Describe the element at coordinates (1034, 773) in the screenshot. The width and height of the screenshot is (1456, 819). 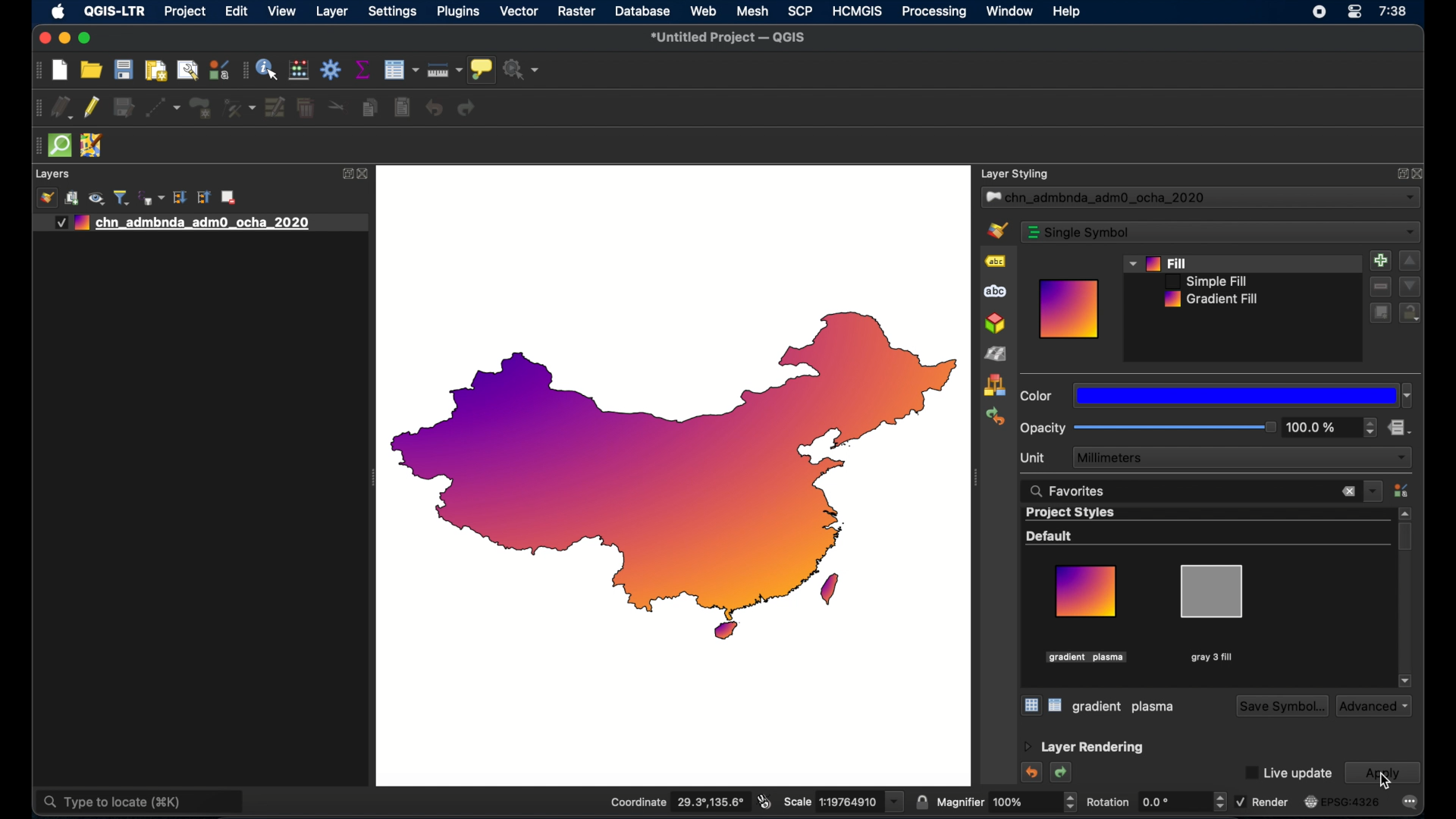
I see `undo` at that location.